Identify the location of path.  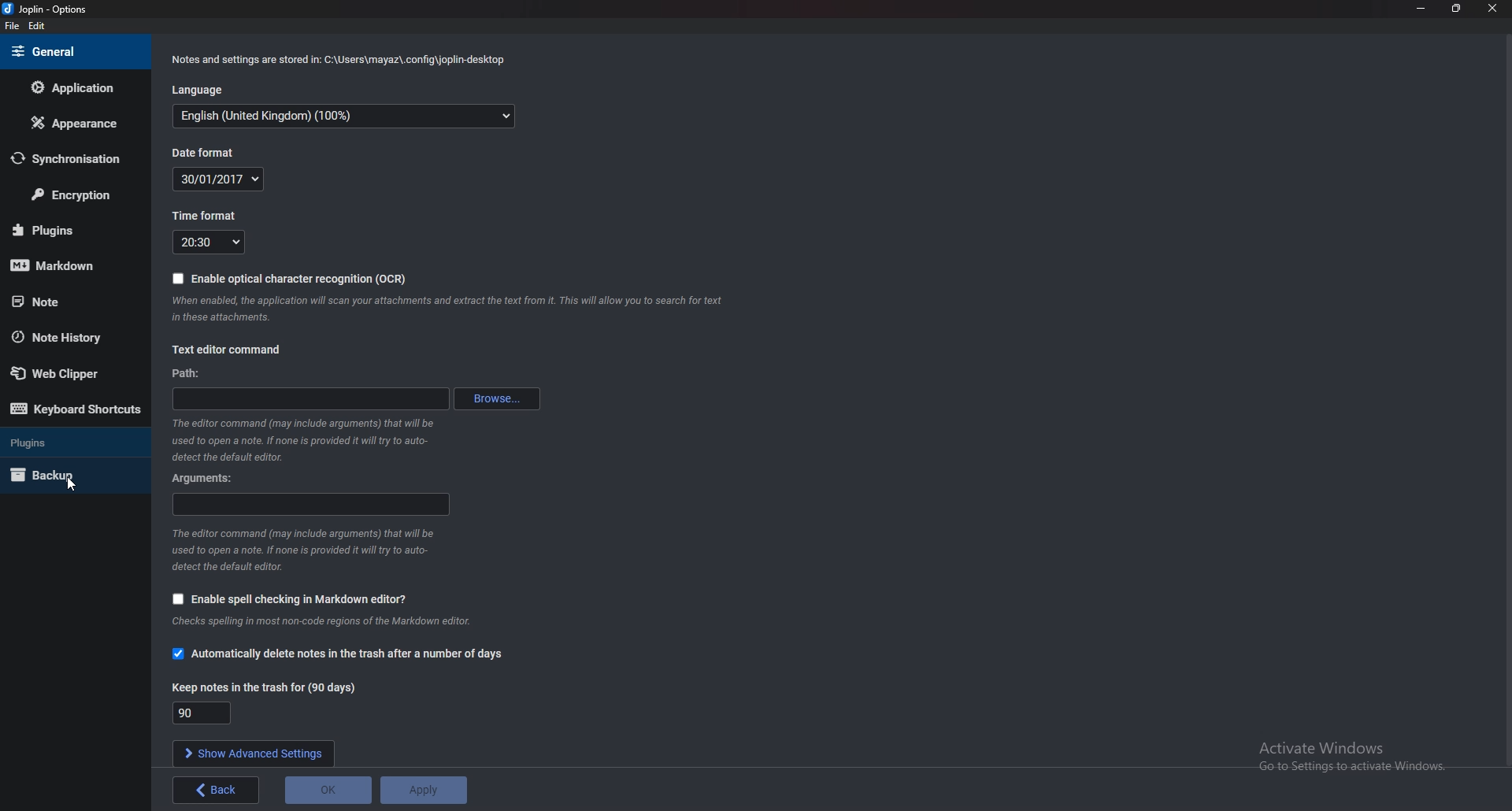
(308, 399).